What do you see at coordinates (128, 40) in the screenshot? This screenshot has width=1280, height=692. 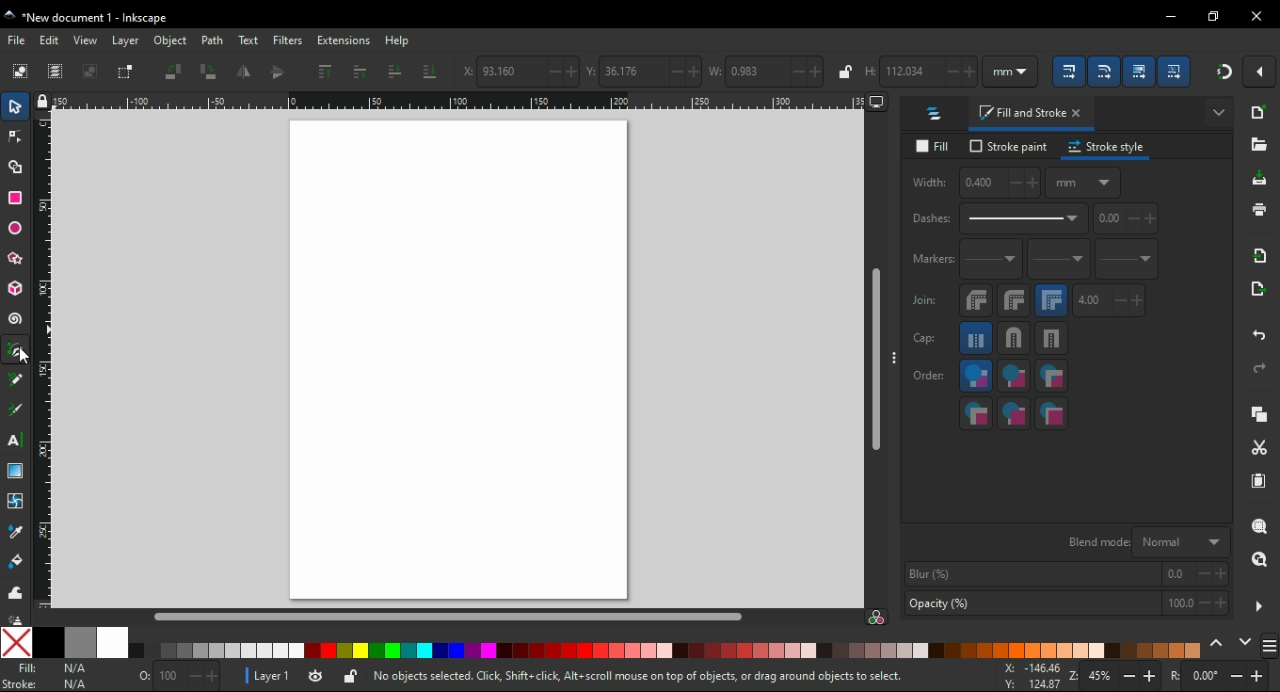 I see `layer` at bounding box center [128, 40].